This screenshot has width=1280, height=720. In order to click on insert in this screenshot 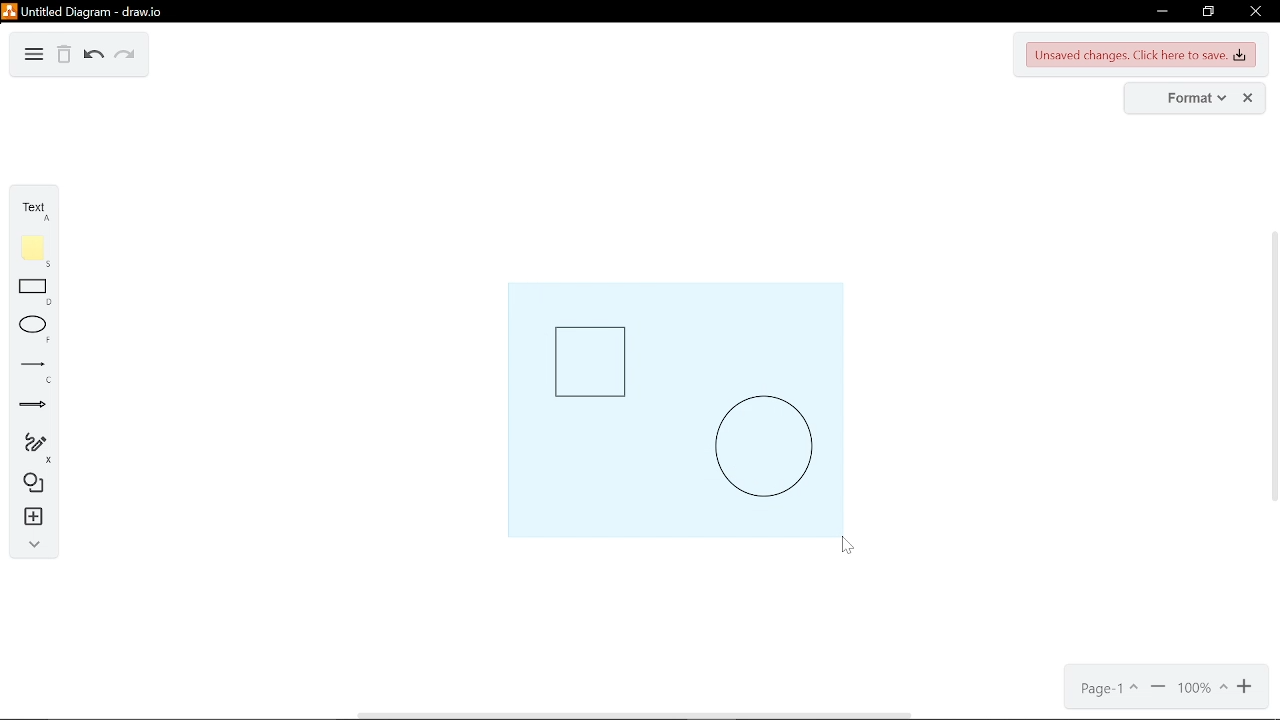, I will do `click(30, 519)`.